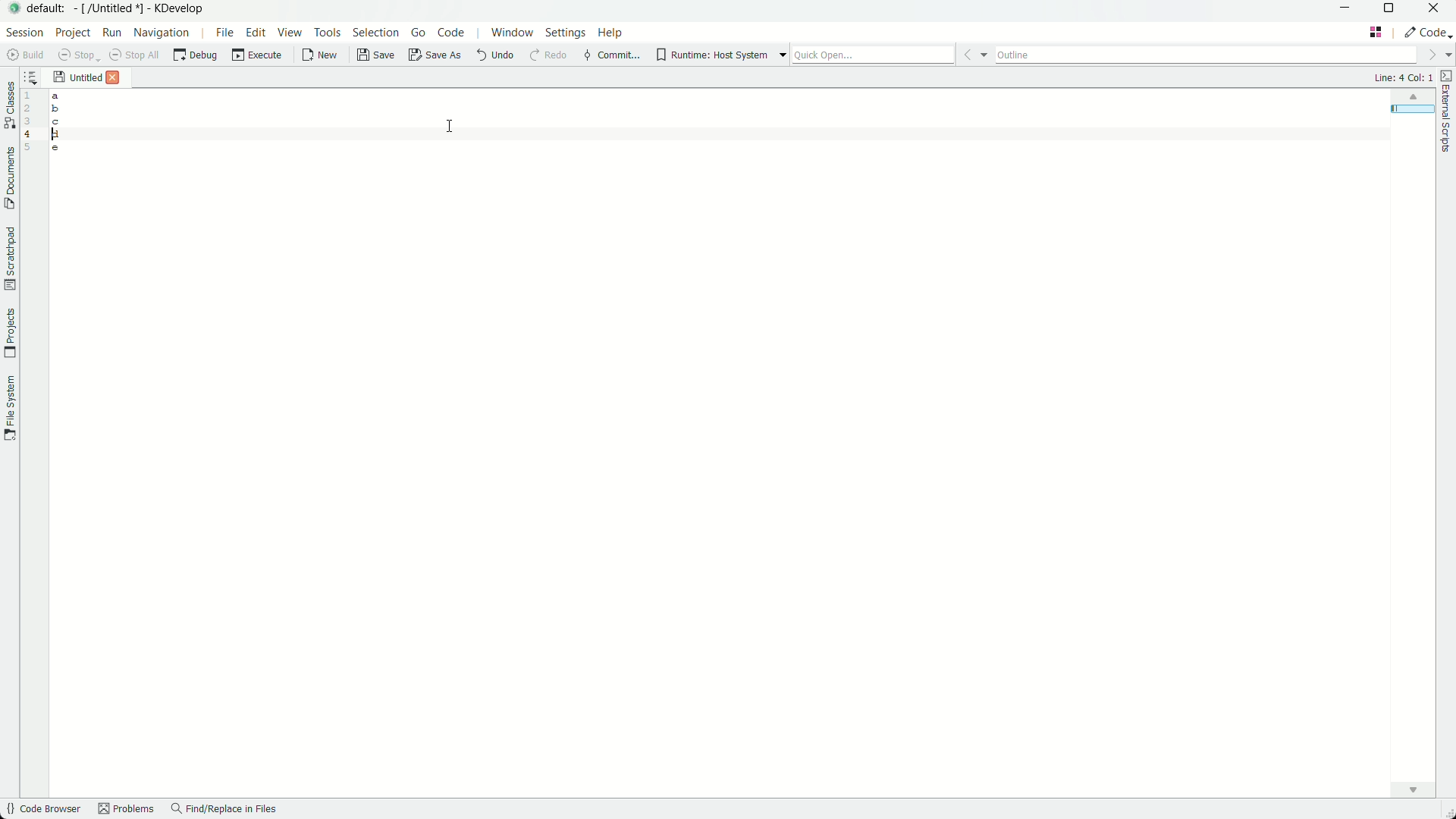  What do you see at coordinates (1436, 11) in the screenshot?
I see `close app` at bounding box center [1436, 11].